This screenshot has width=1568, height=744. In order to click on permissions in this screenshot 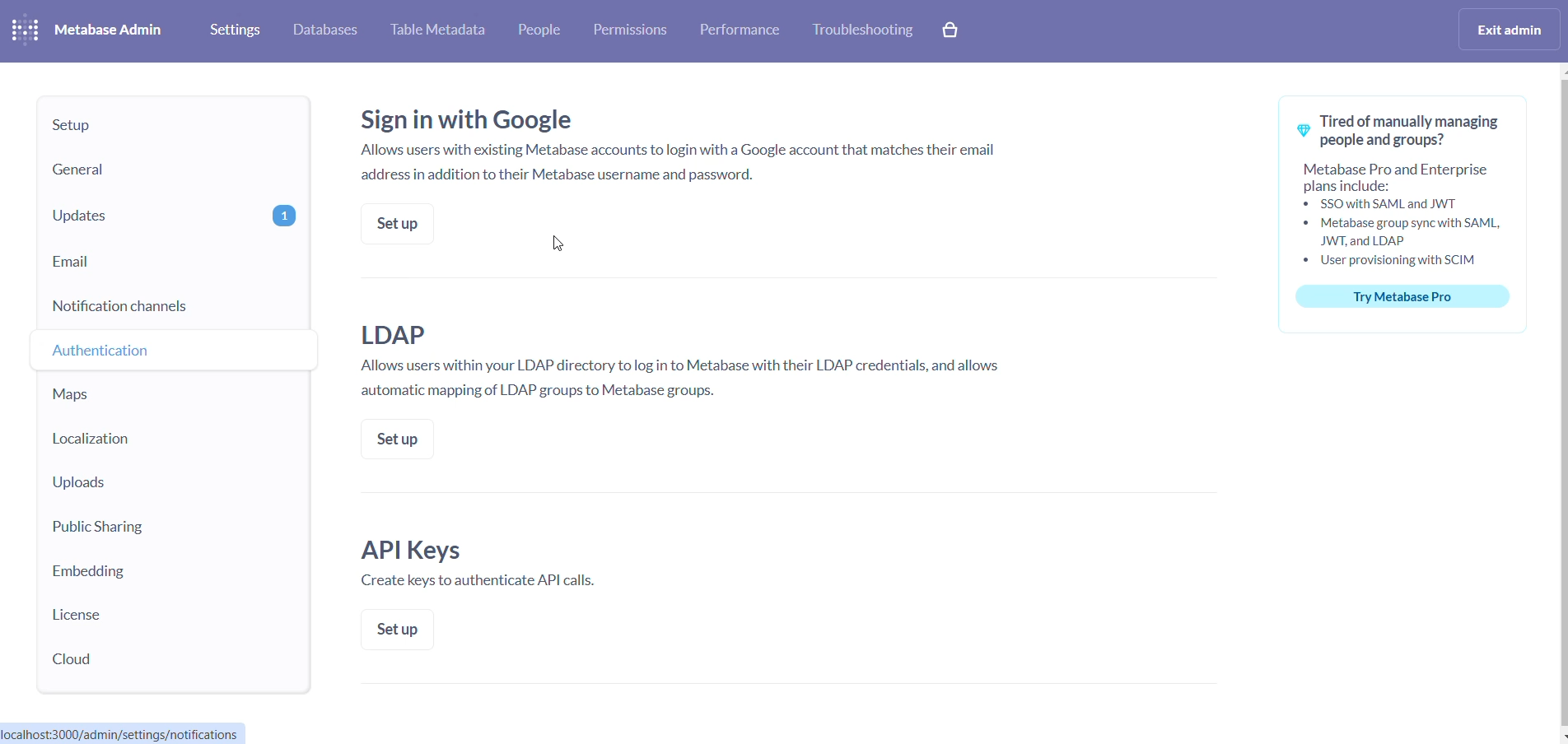, I will do `click(632, 28)`.